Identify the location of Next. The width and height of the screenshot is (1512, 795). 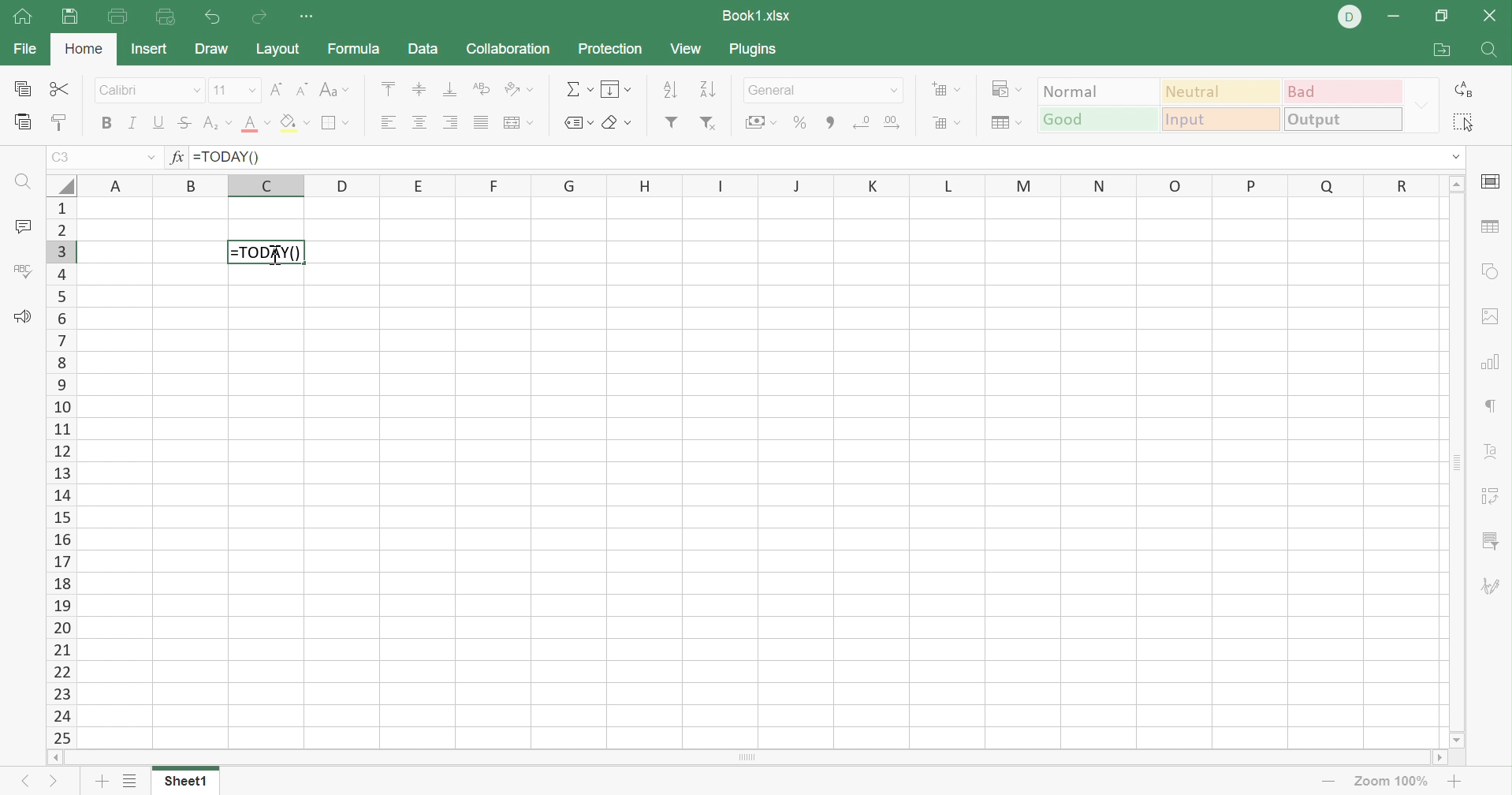
(55, 780).